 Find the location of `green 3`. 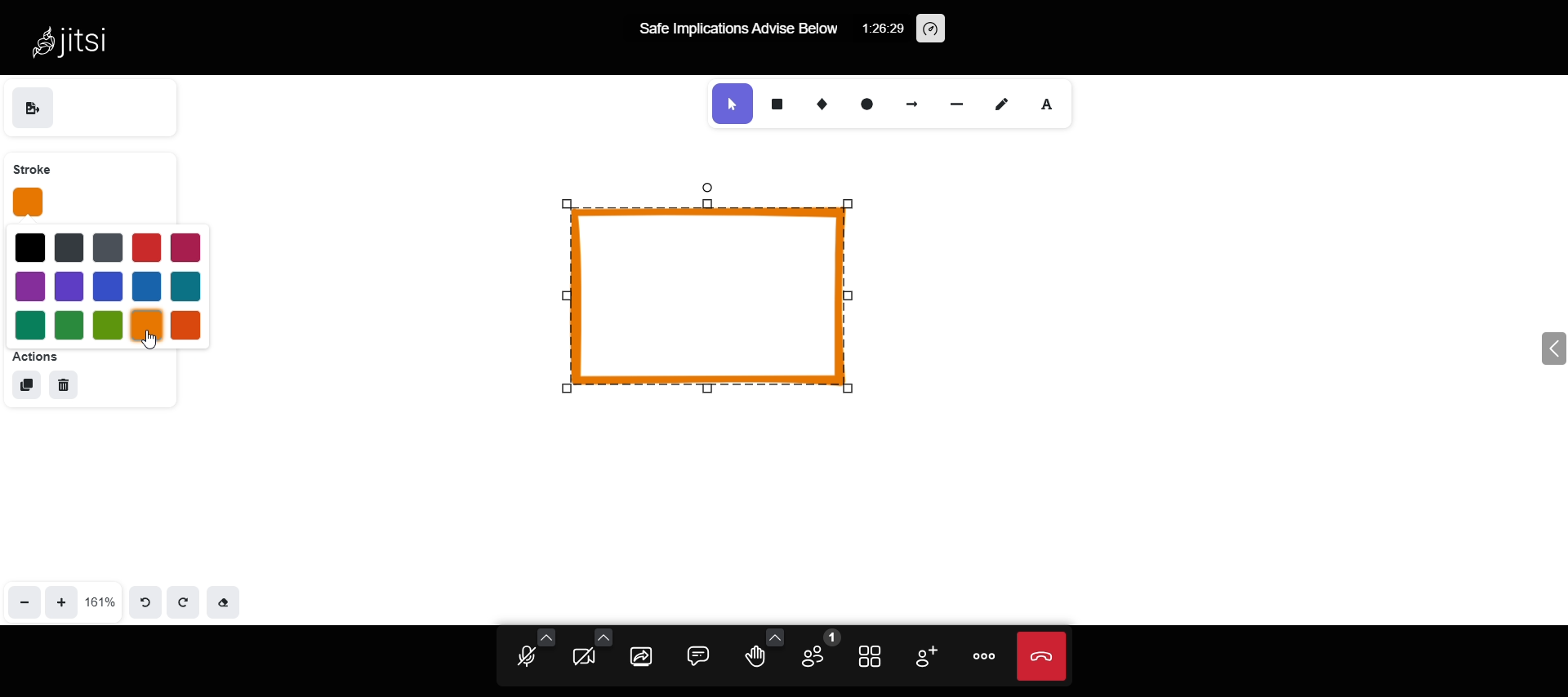

green 3 is located at coordinates (108, 326).